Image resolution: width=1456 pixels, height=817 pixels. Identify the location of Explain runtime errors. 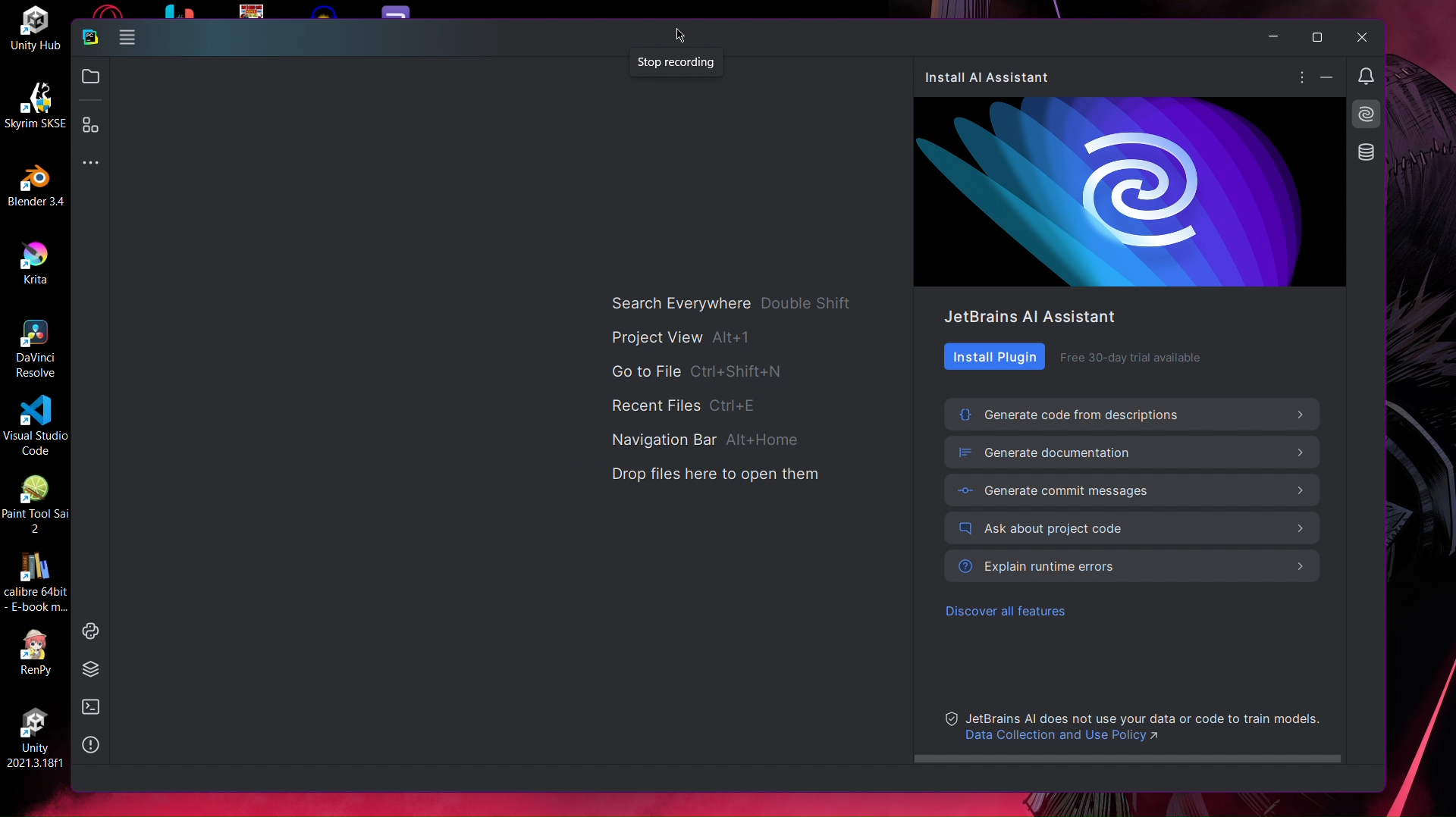
(1134, 567).